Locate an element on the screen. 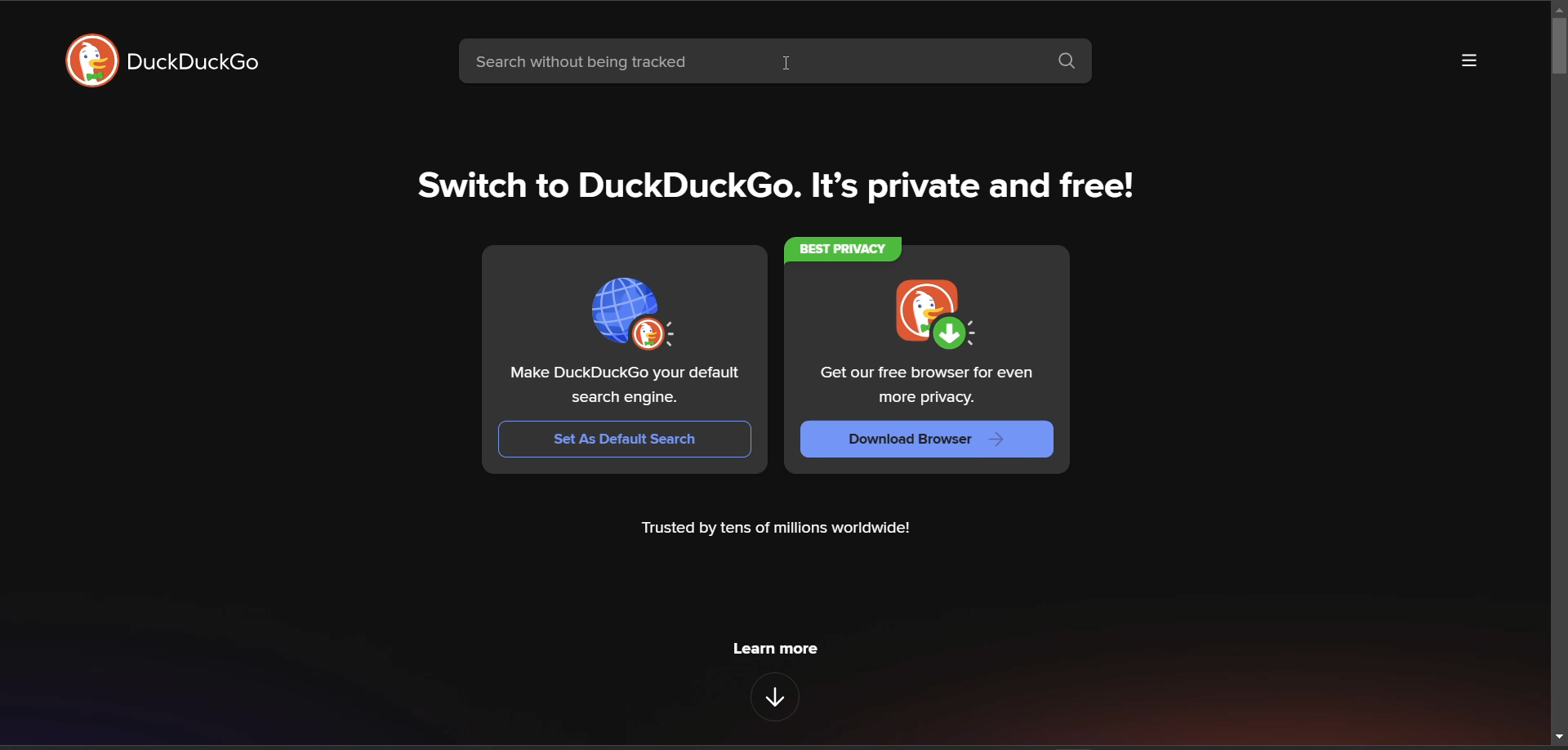 The height and width of the screenshot is (750, 1568). cursor is located at coordinates (788, 62).